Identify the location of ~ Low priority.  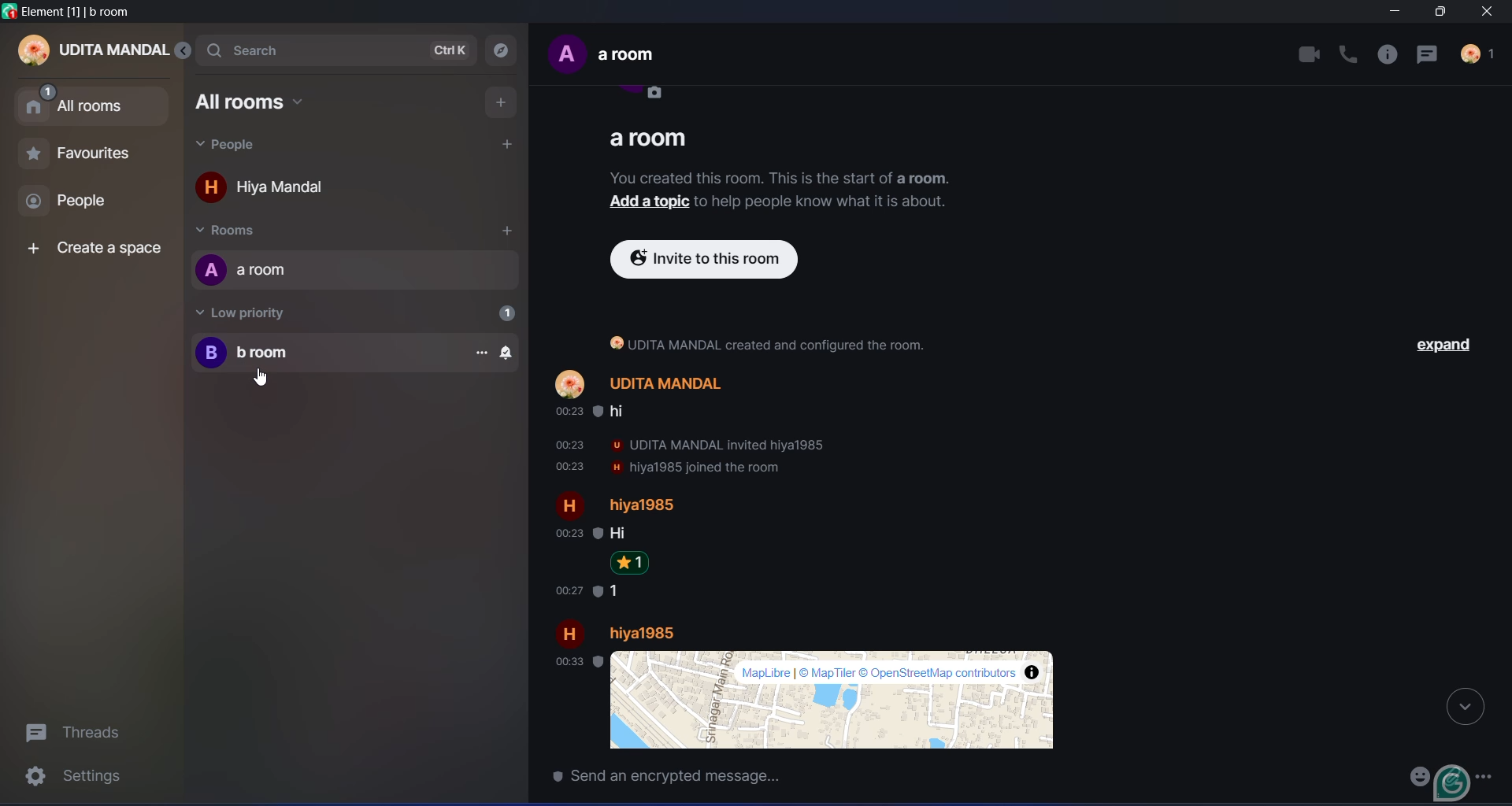
(254, 312).